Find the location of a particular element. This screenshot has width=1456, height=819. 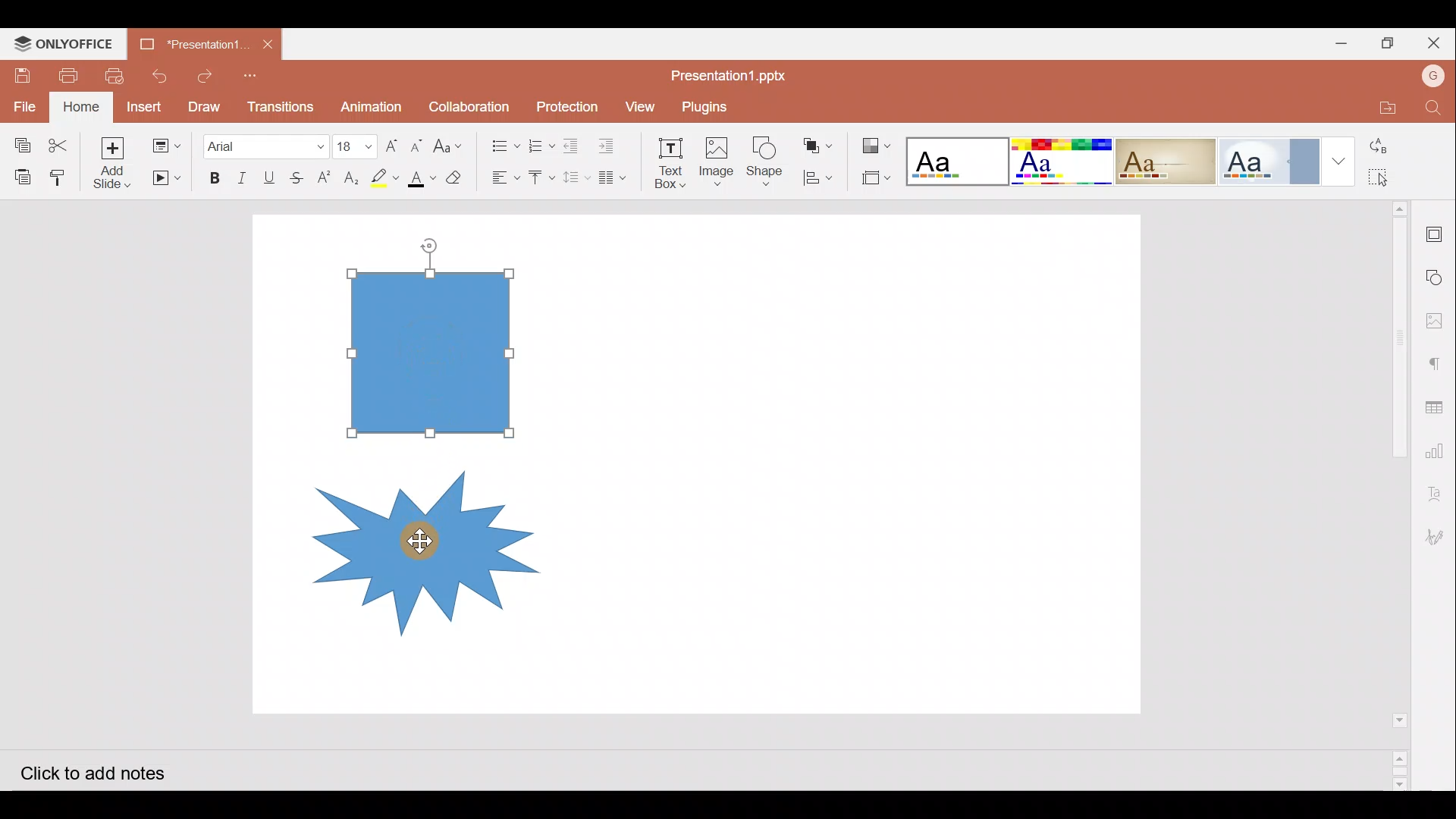

Vertical align is located at coordinates (540, 173).